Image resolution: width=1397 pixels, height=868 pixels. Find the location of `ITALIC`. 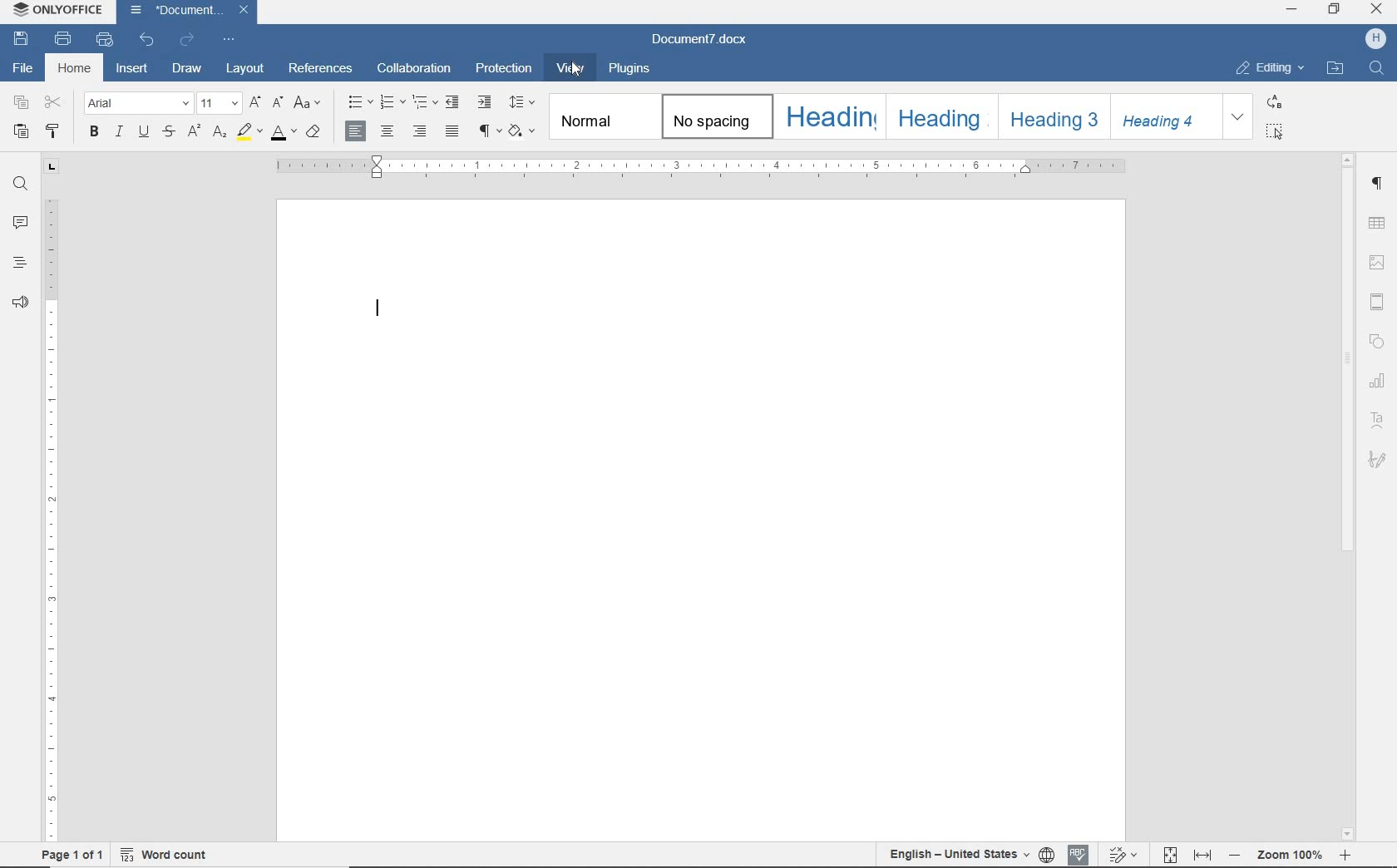

ITALIC is located at coordinates (118, 133).